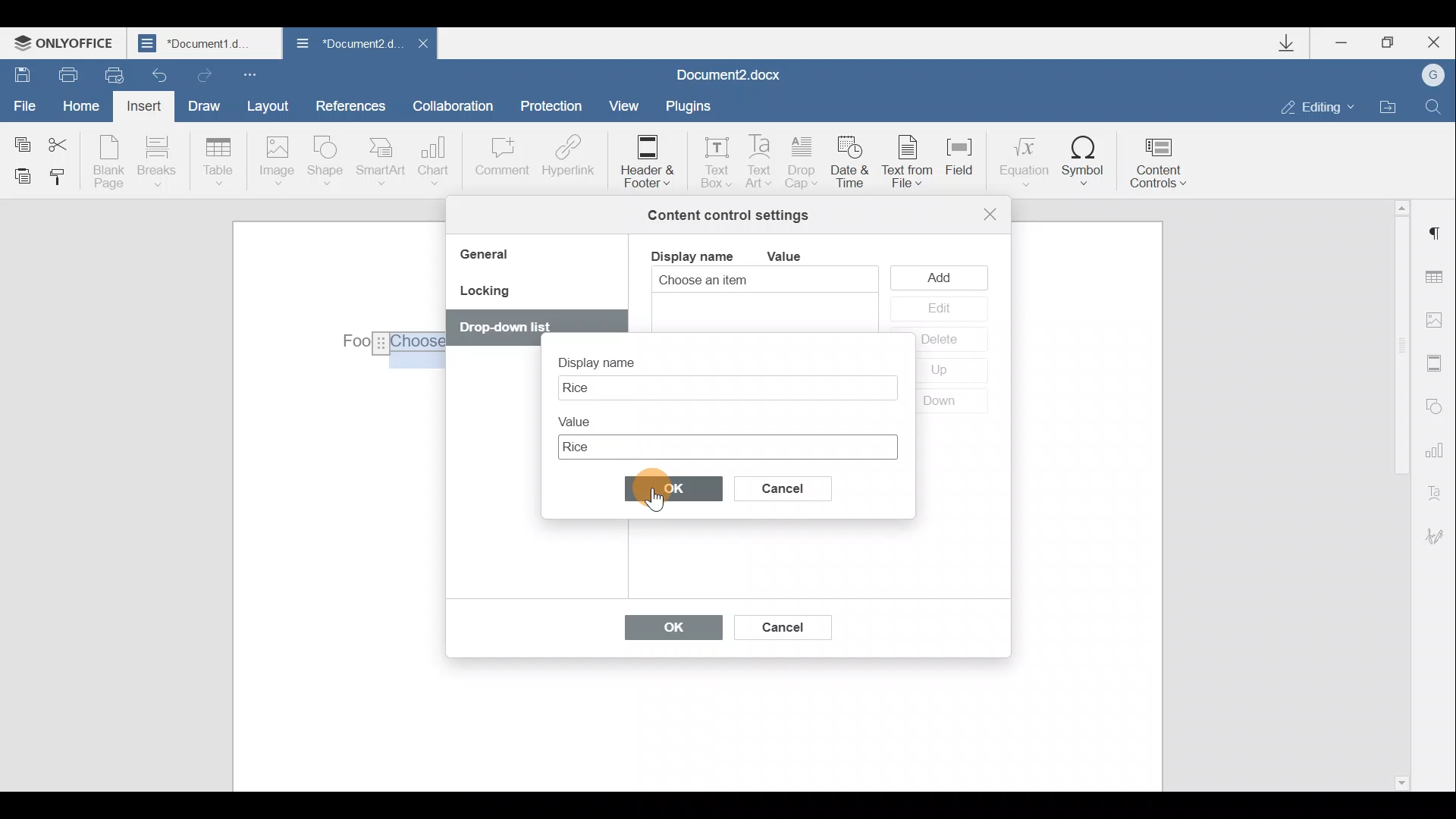 The height and width of the screenshot is (819, 1456). What do you see at coordinates (1348, 45) in the screenshot?
I see `Minimize` at bounding box center [1348, 45].